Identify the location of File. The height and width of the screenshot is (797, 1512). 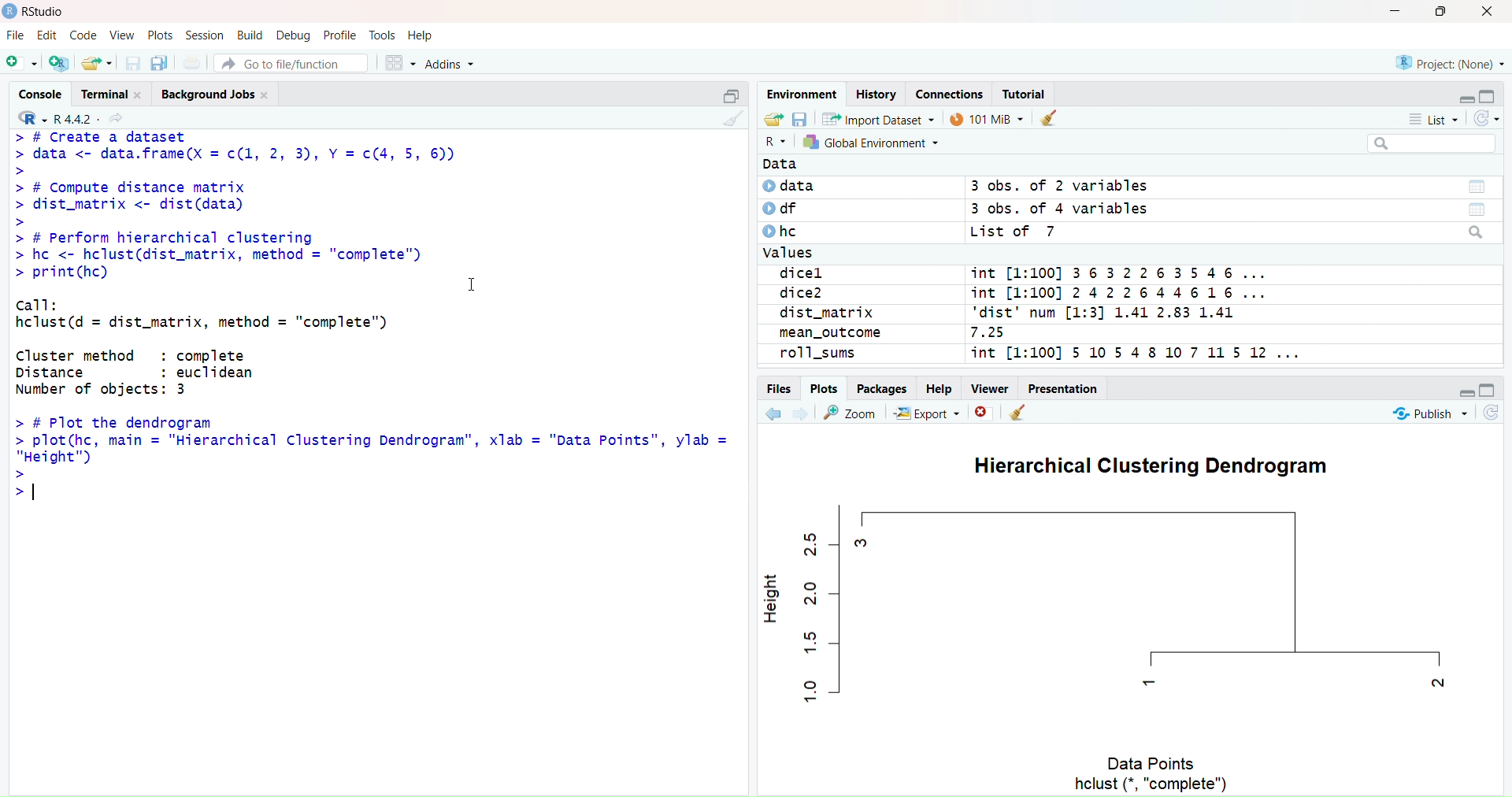
(13, 34).